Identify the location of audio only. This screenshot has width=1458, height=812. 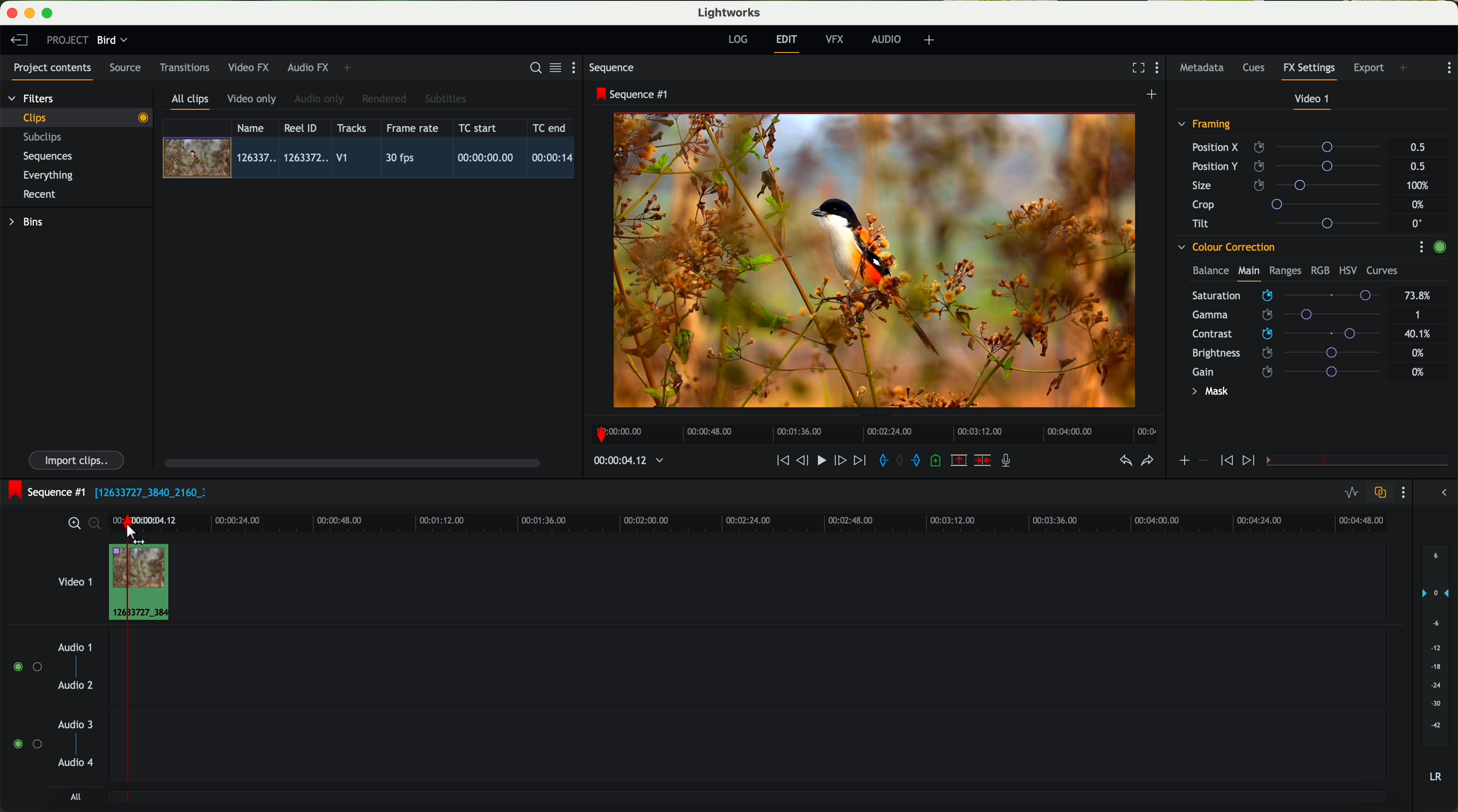
(320, 99).